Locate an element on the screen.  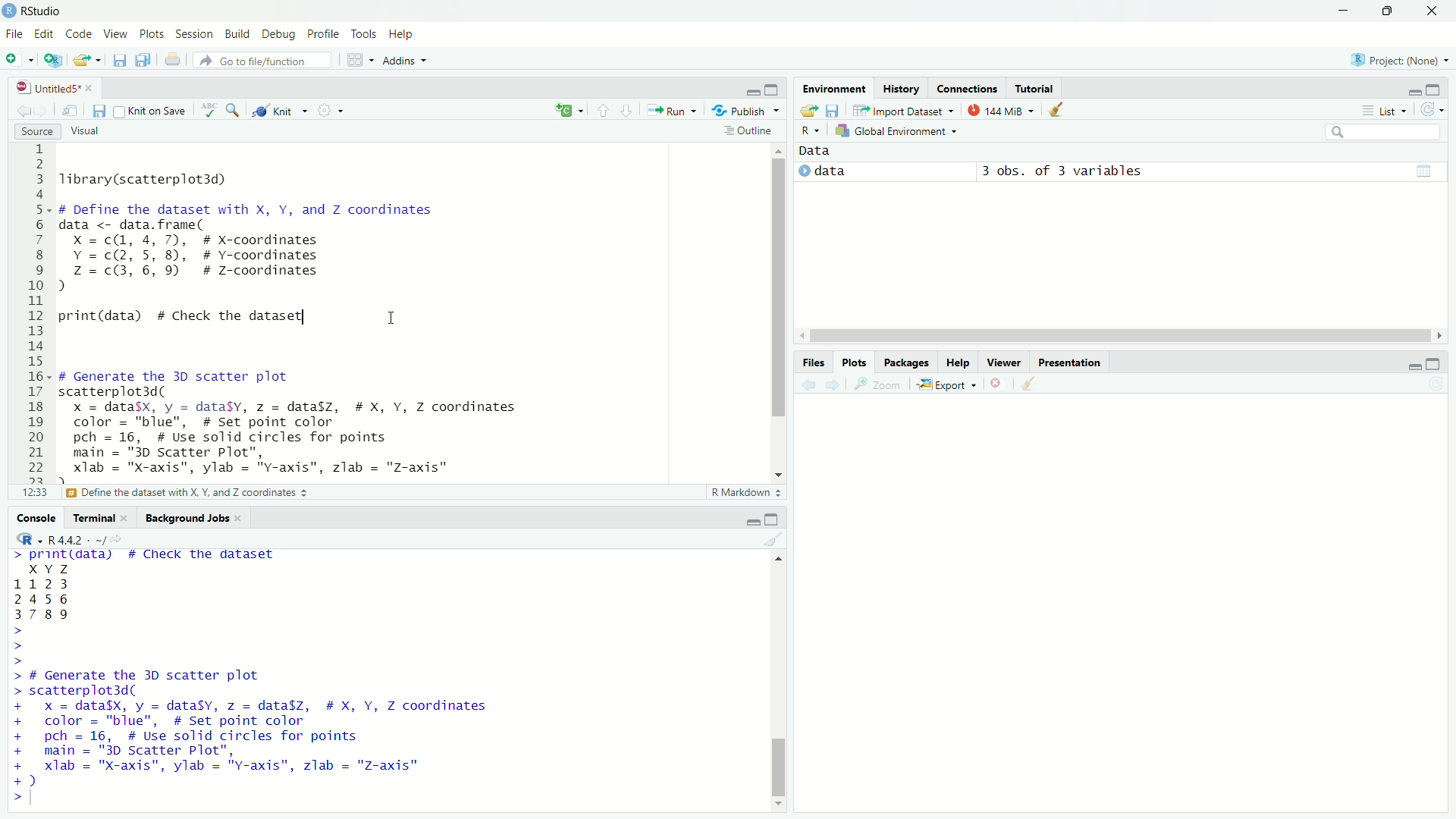
library (scatterplot3d) is located at coordinates (146, 179).